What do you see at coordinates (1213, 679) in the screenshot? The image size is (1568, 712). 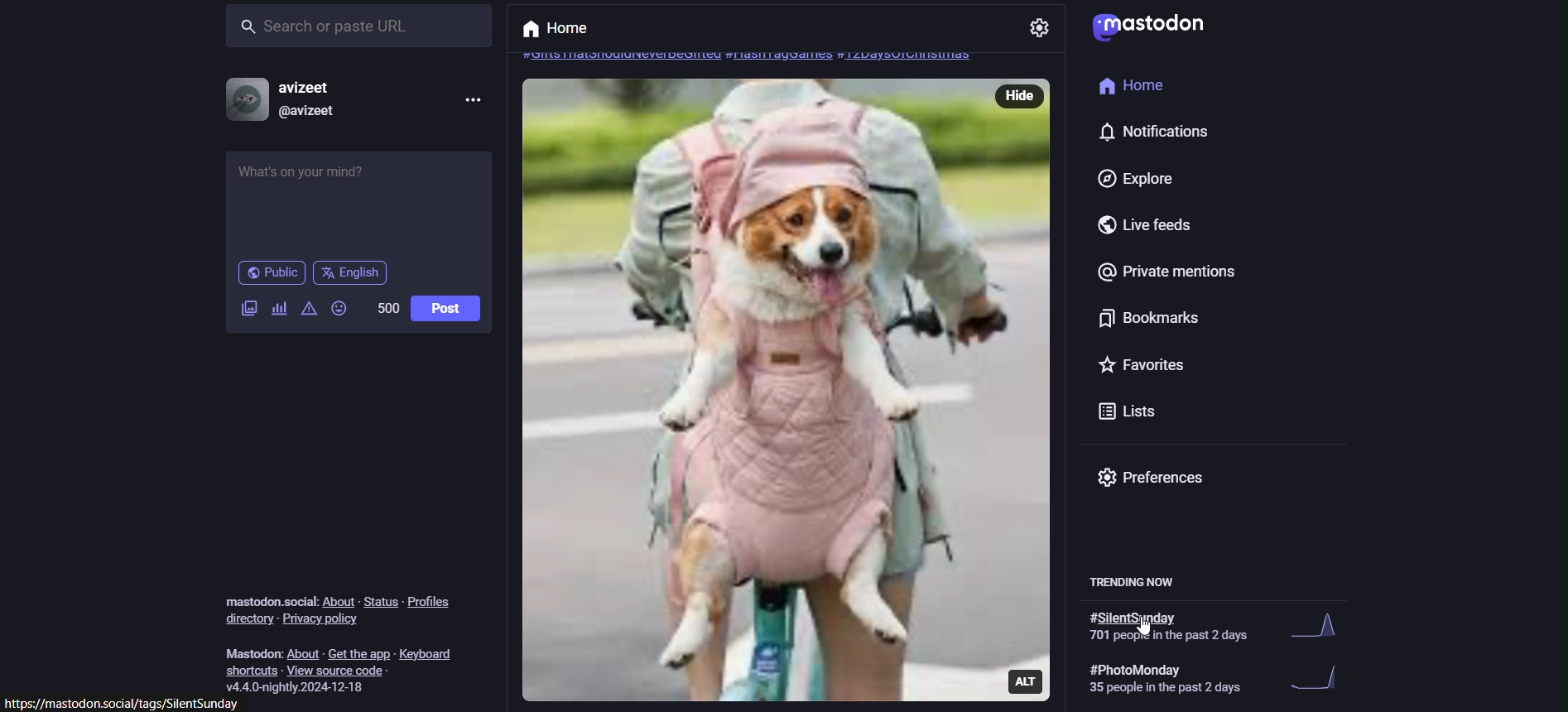 I see `Photo Monday 35 people in the past 2 days` at bounding box center [1213, 679].